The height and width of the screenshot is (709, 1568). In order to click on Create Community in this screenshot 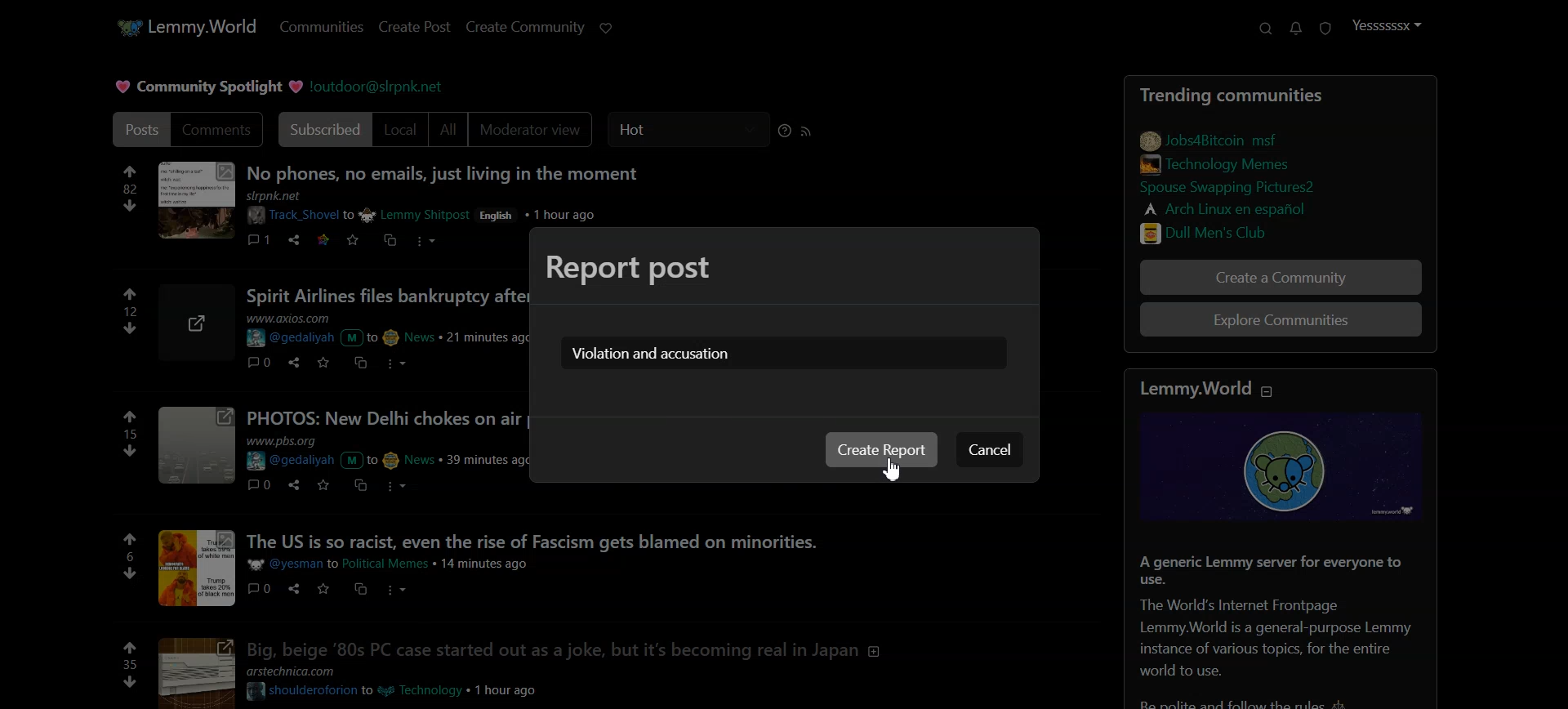, I will do `click(526, 27)`.